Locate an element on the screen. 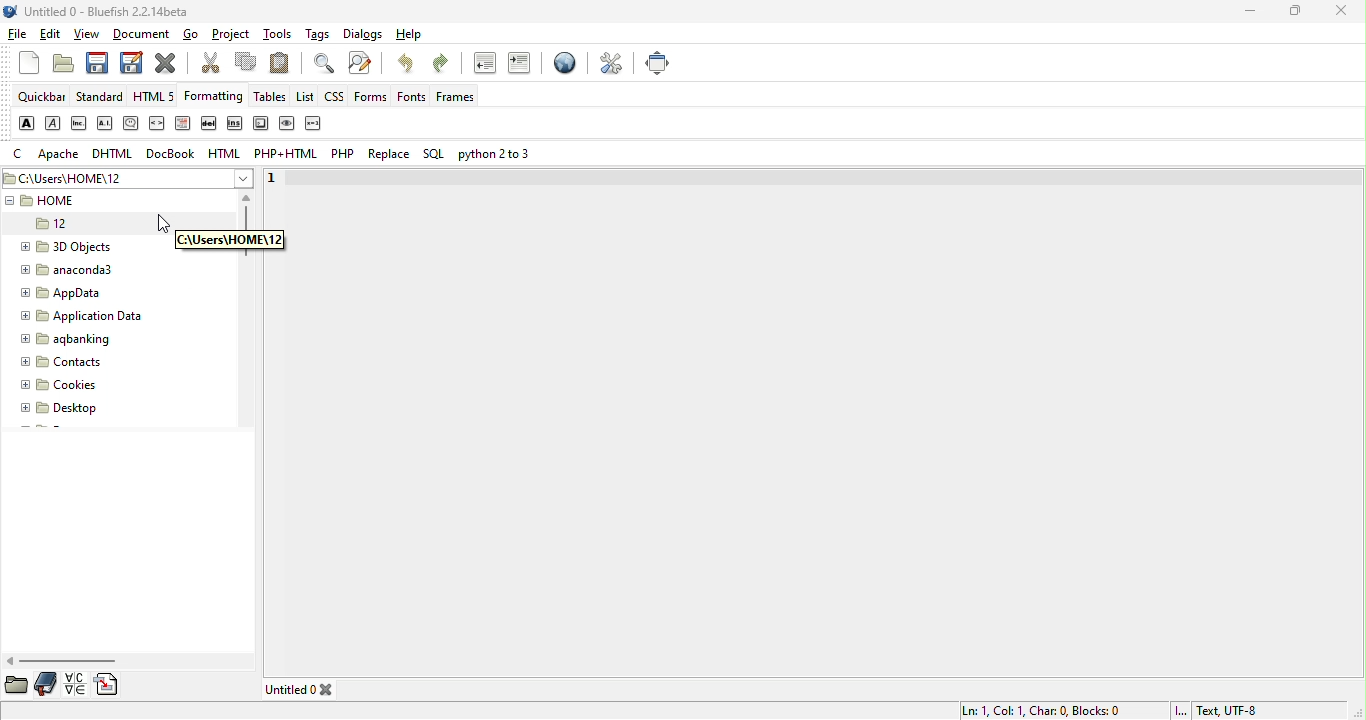 The height and width of the screenshot is (720, 1366). paste is located at coordinates (284, 63).